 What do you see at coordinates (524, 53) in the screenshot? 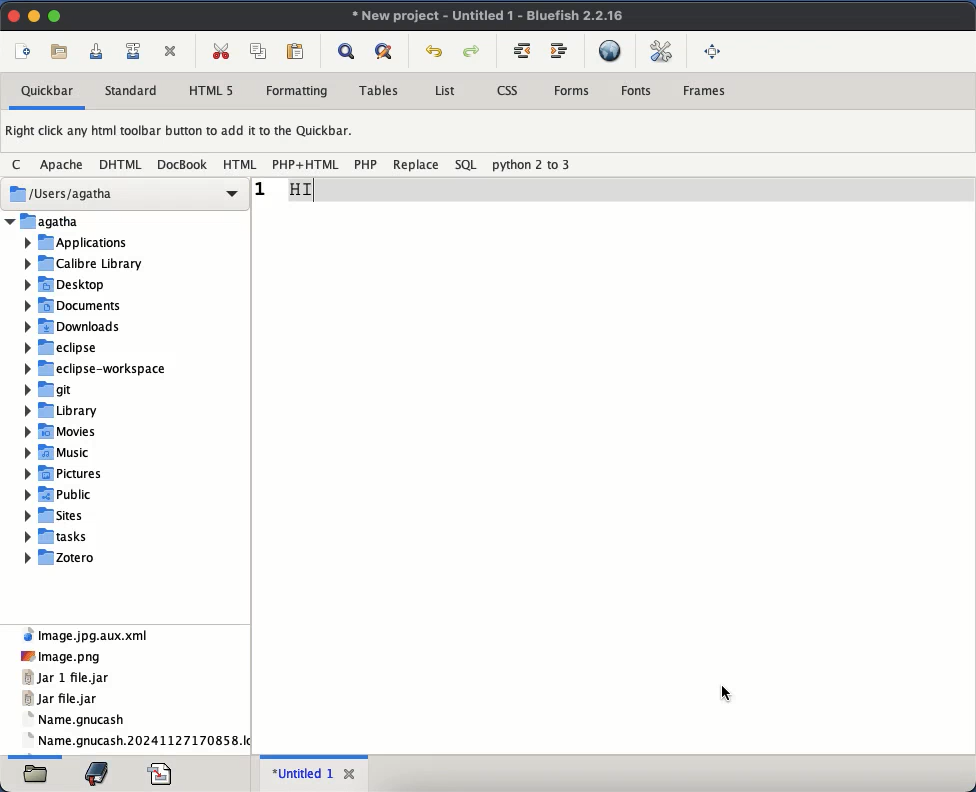
I see `unindent` at bounding box center [524, 53].